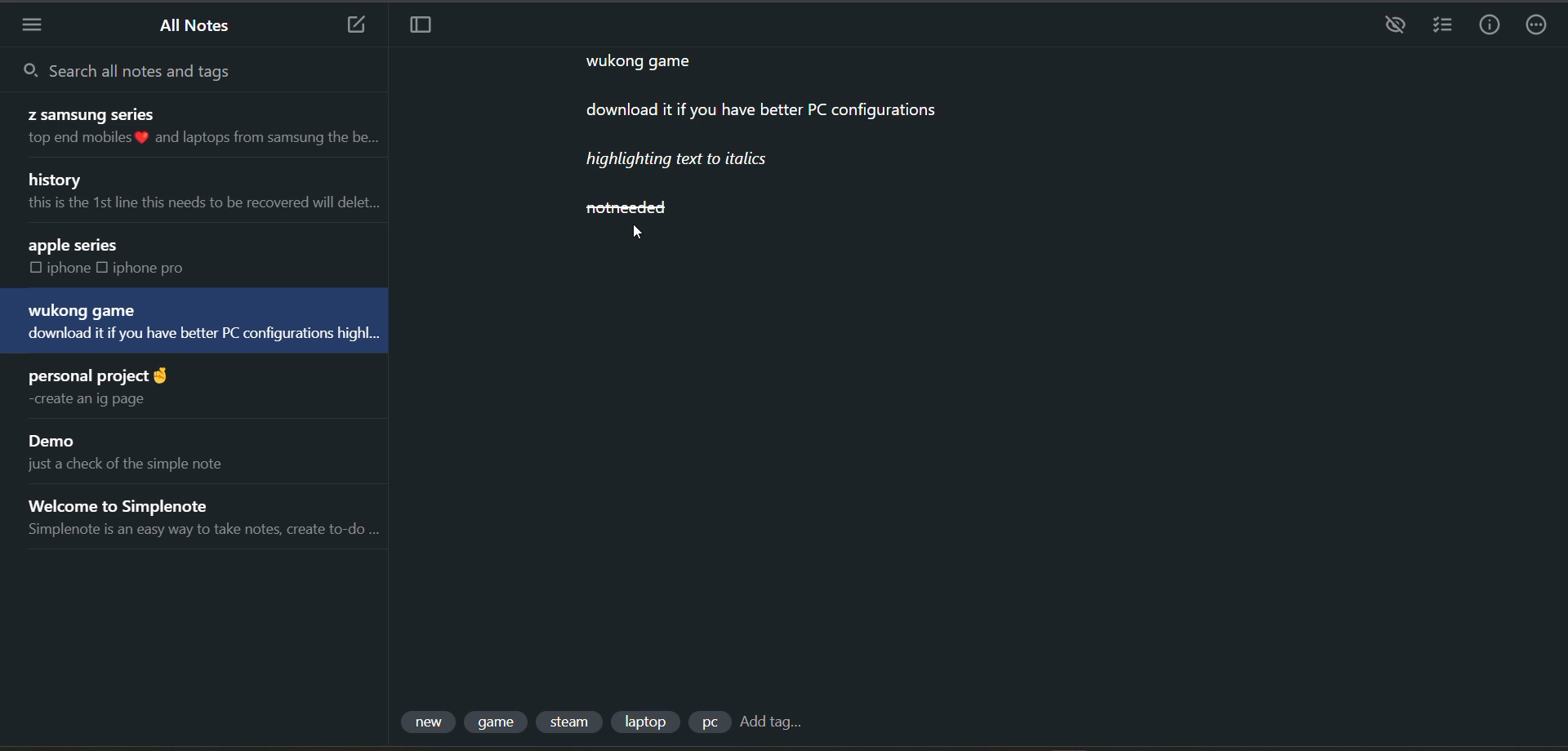 The image size is (1568, 751). Describe the element at coordinates (352, 25) in the screenshot. I see `new note` at that location.